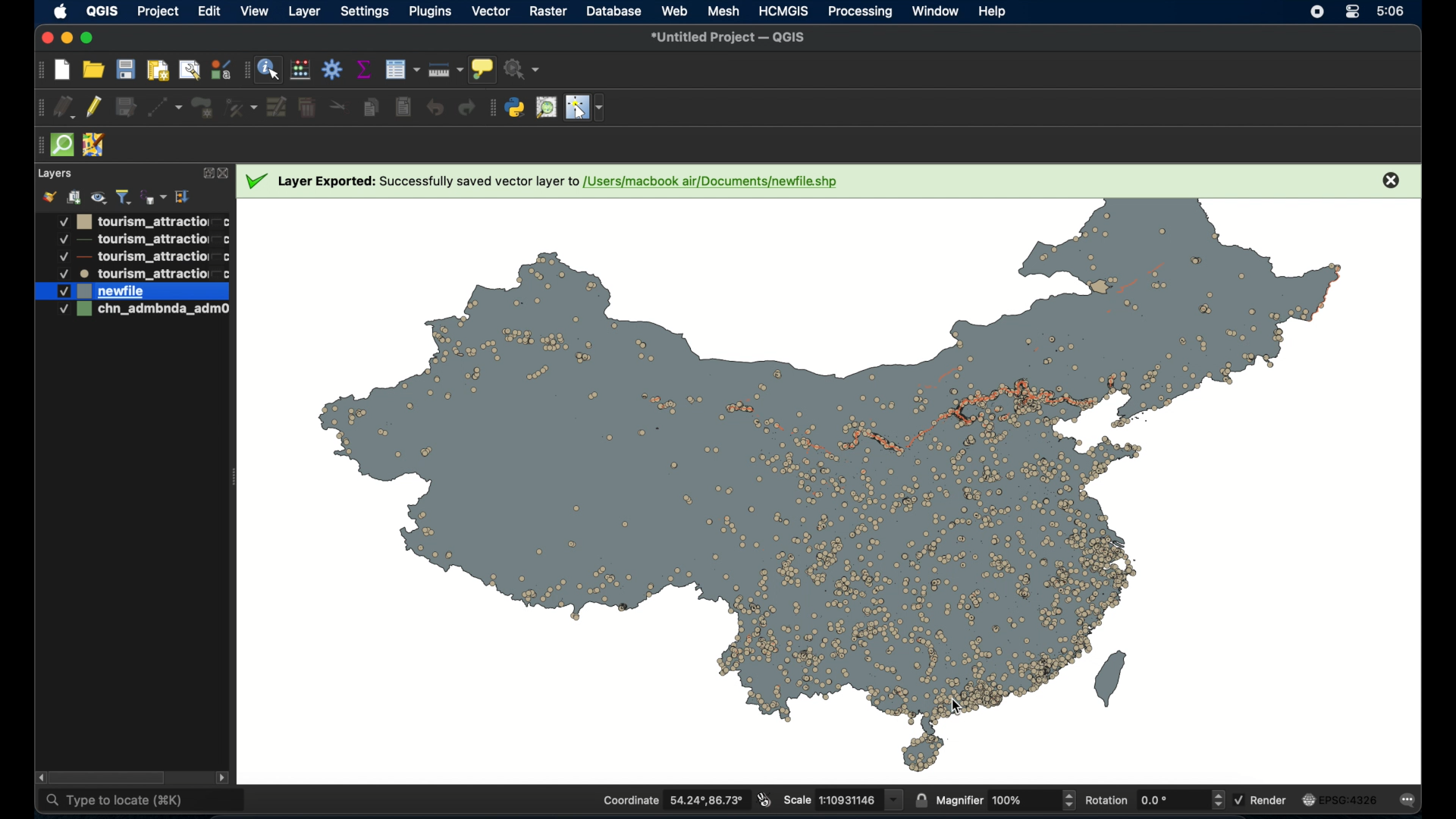 The height and width of the screenshot is (819, 1456). What do you see at coordinates (723, 11) in the screenshot?
I see `mesh` at bounding box center [723, 11].